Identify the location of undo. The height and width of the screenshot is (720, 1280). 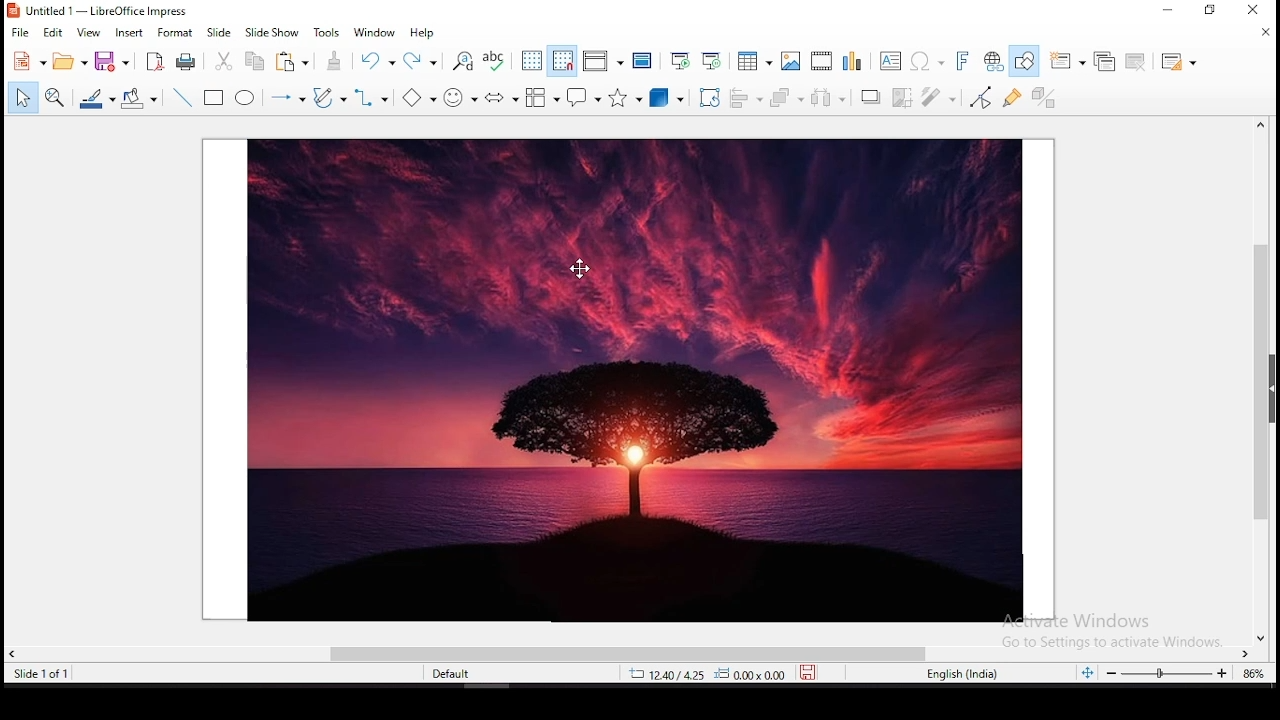
(379, 61).